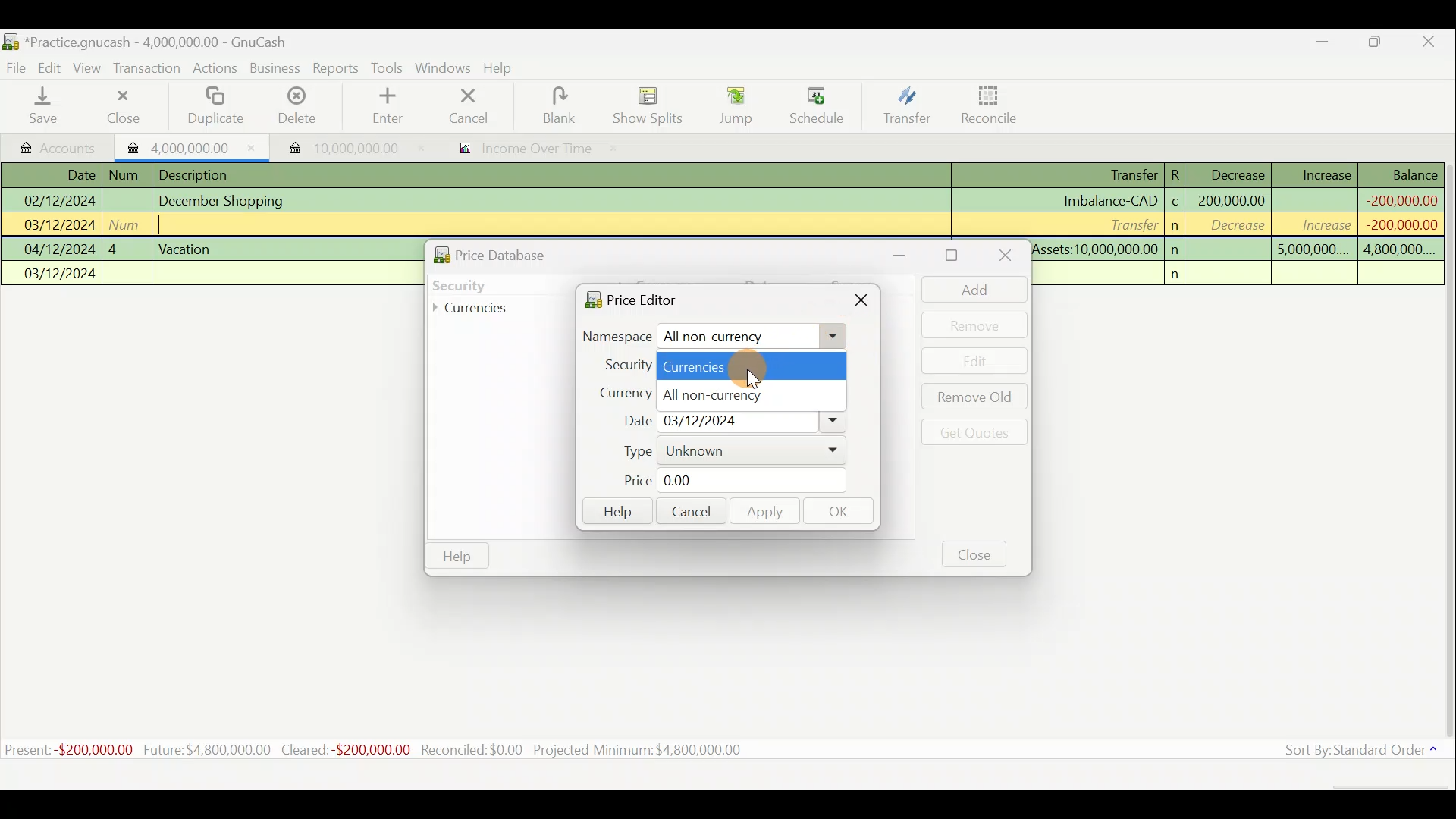 This screenshot has height=819, width=1456. I want to click on Duplicate, so click(218, 106).